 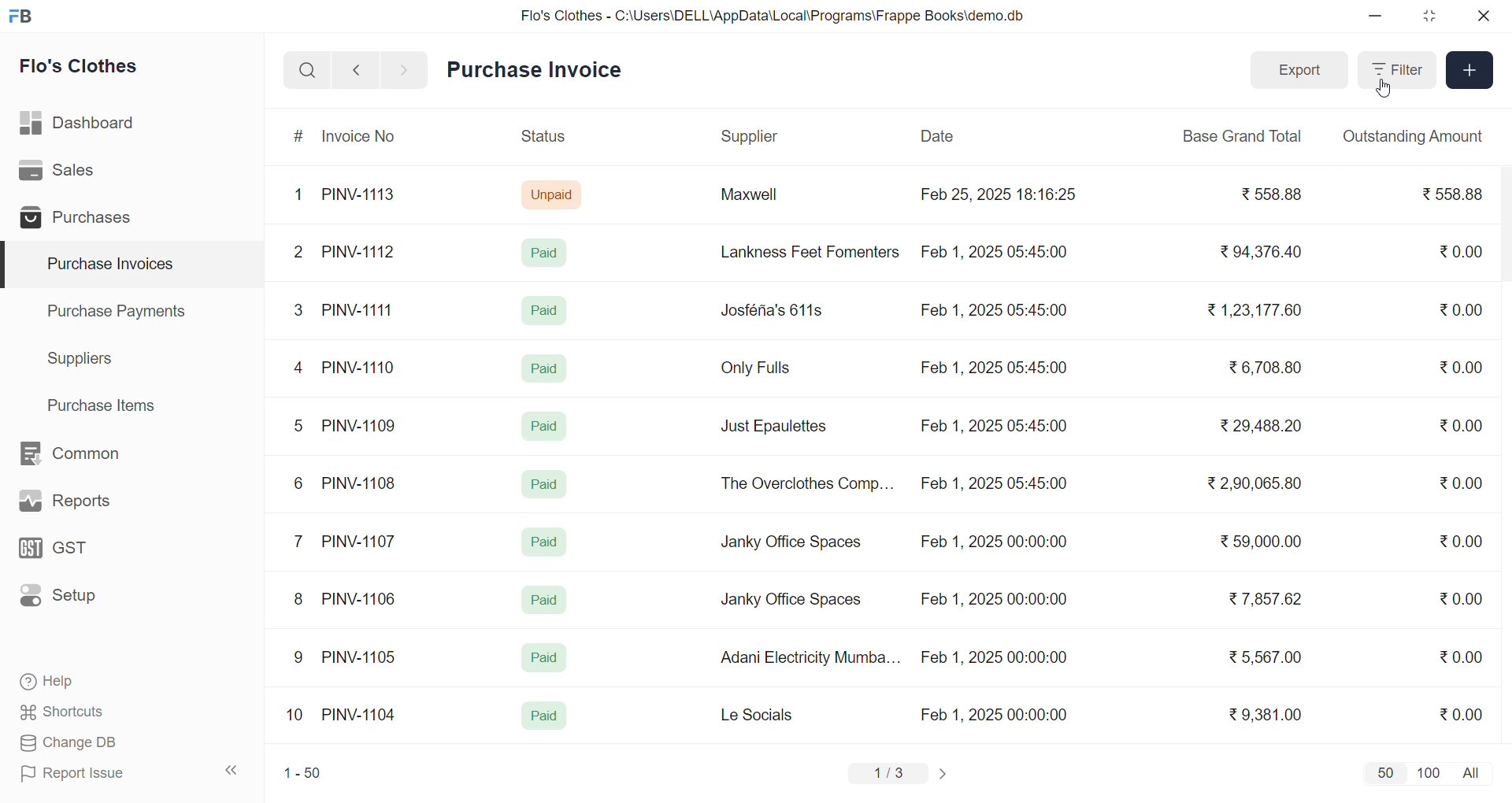 I want to click on ₹0.00, so click(x=1461, y=367).